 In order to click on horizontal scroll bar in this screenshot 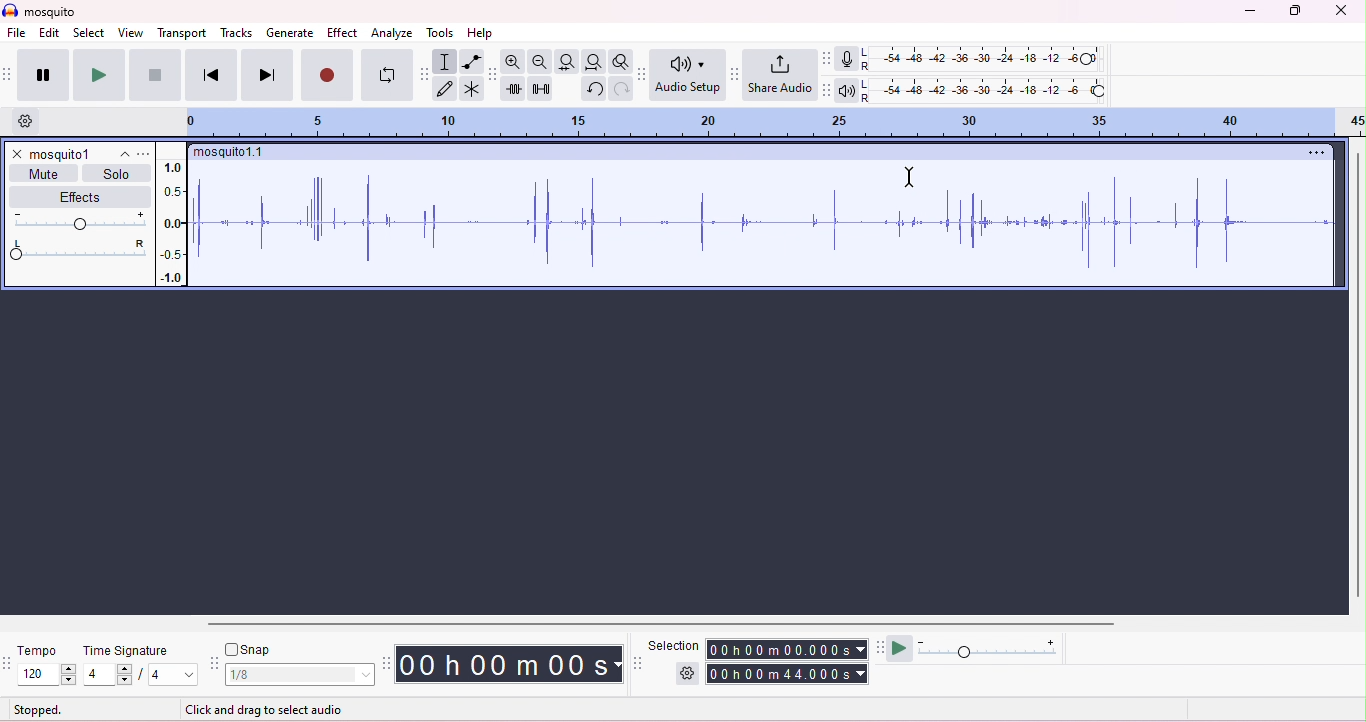, I will do `click(661, 624)`.